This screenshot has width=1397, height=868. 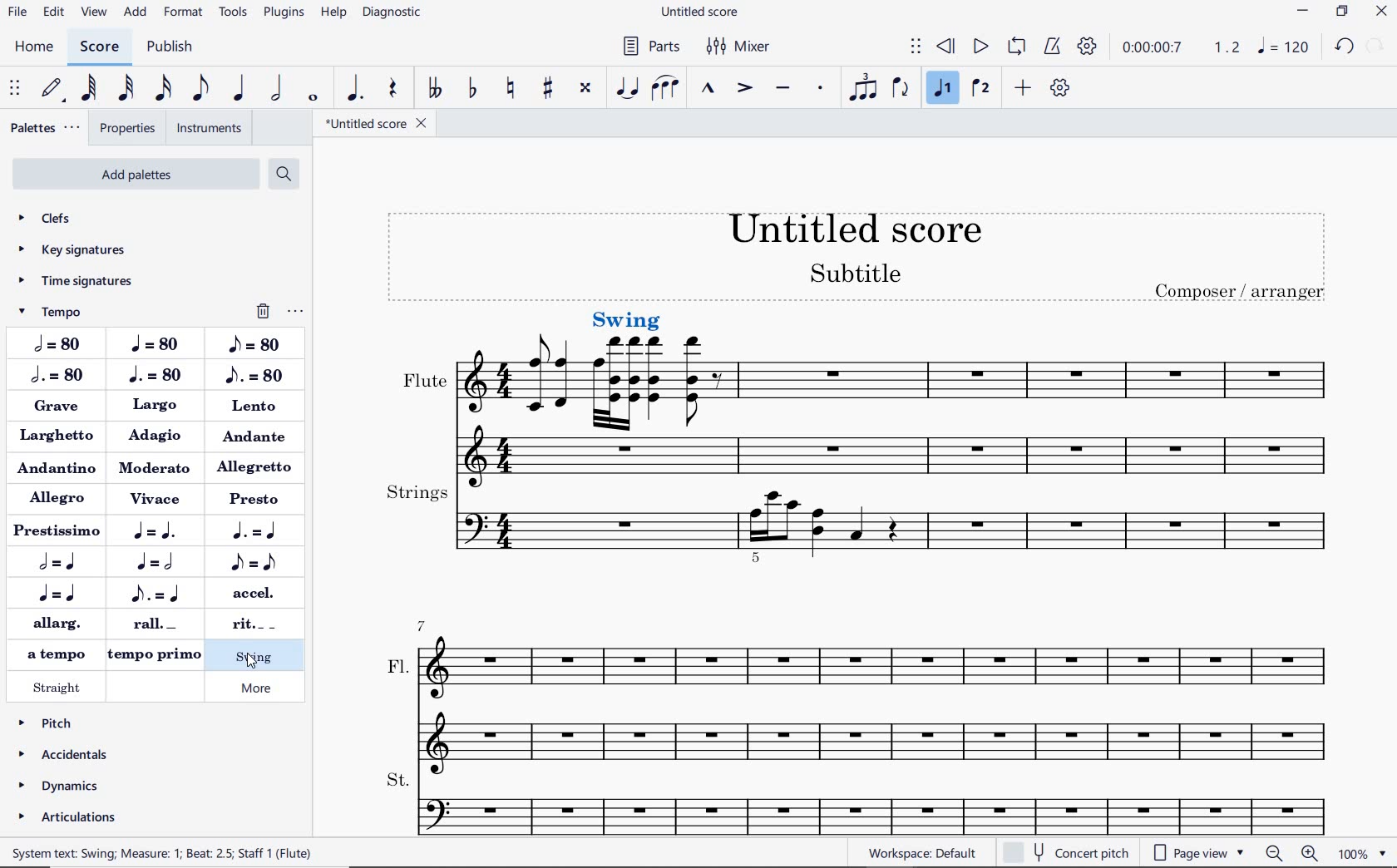 What do you see at coordinates (158, 625) in the screenshot?
I see `RALL.` at bounding box center [158, 625].